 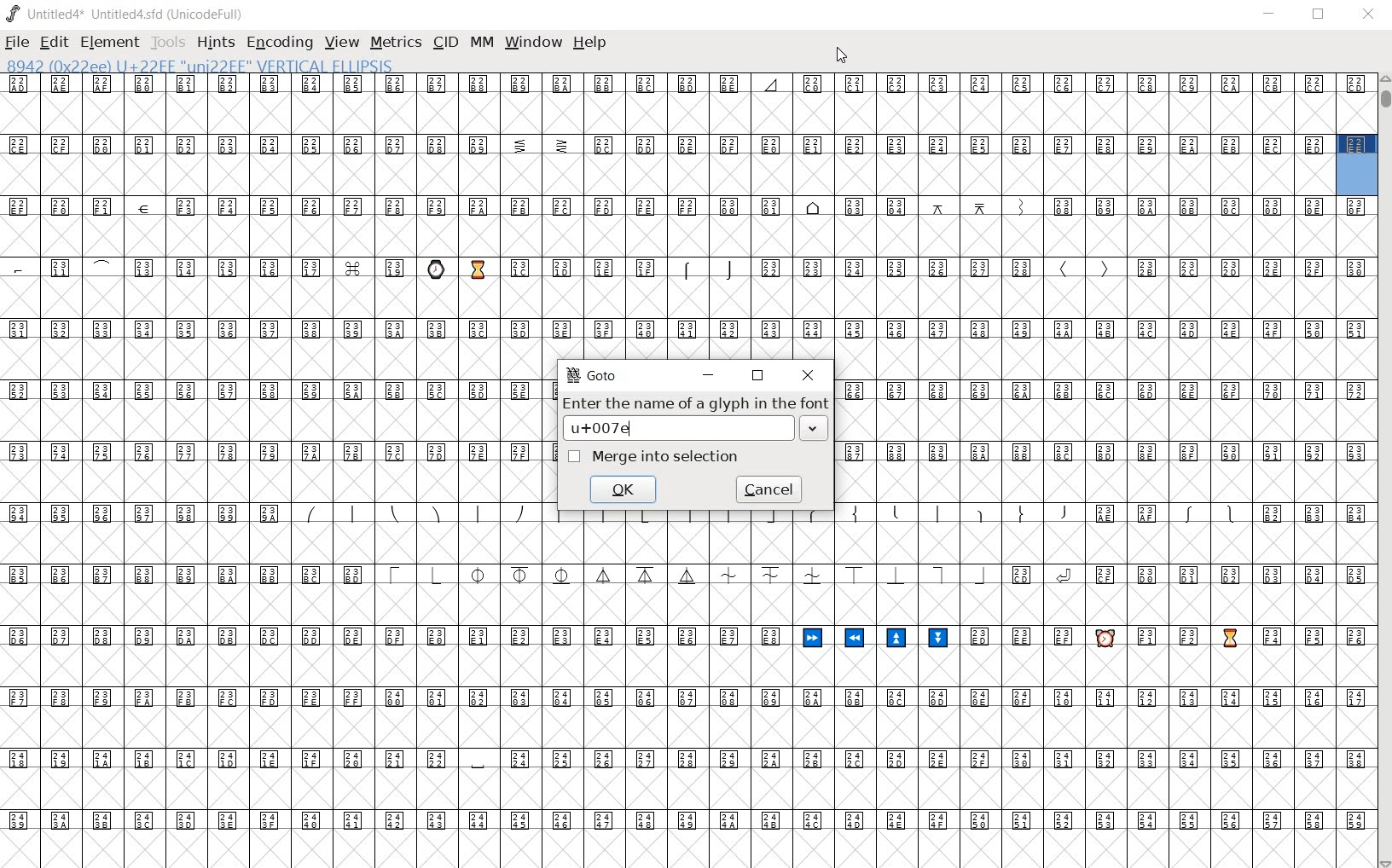 What do you see at coordinates (594, 374) in the screenshot?
I see `GoTo` at bounding box center [594, 374].